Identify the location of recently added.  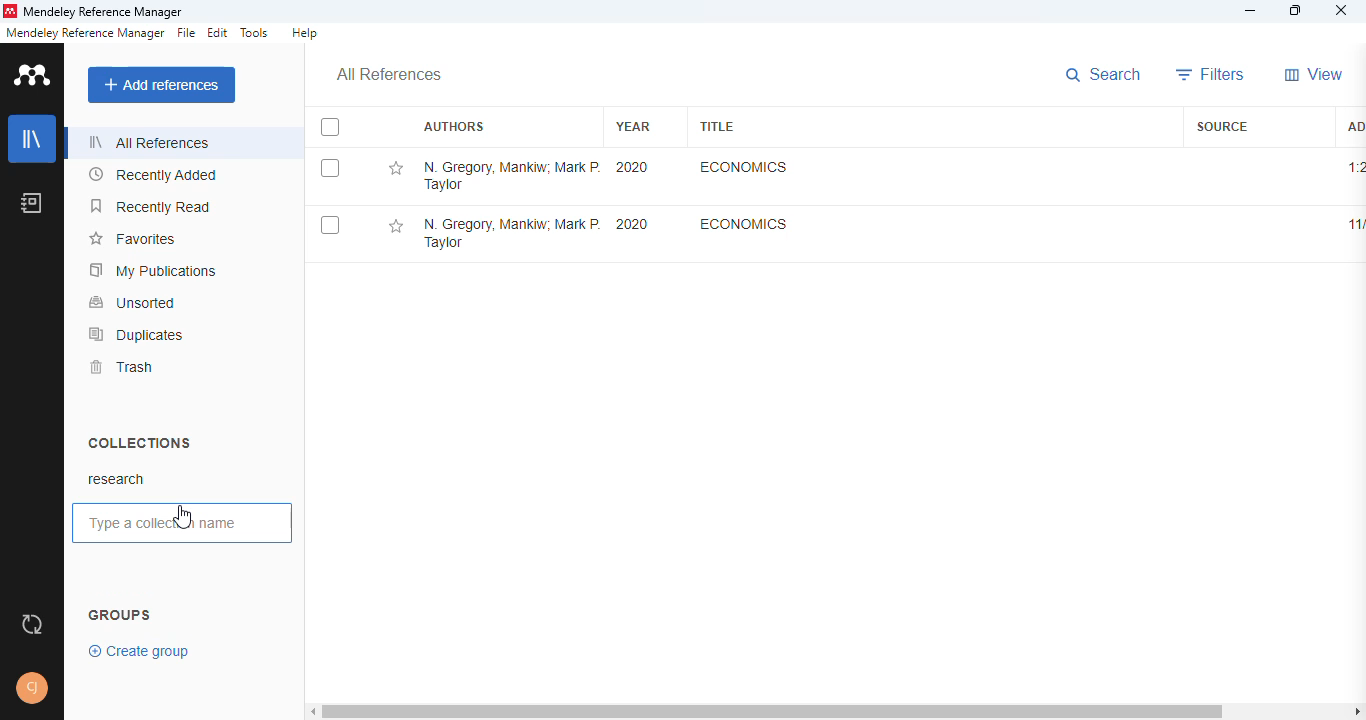
(154, 175).